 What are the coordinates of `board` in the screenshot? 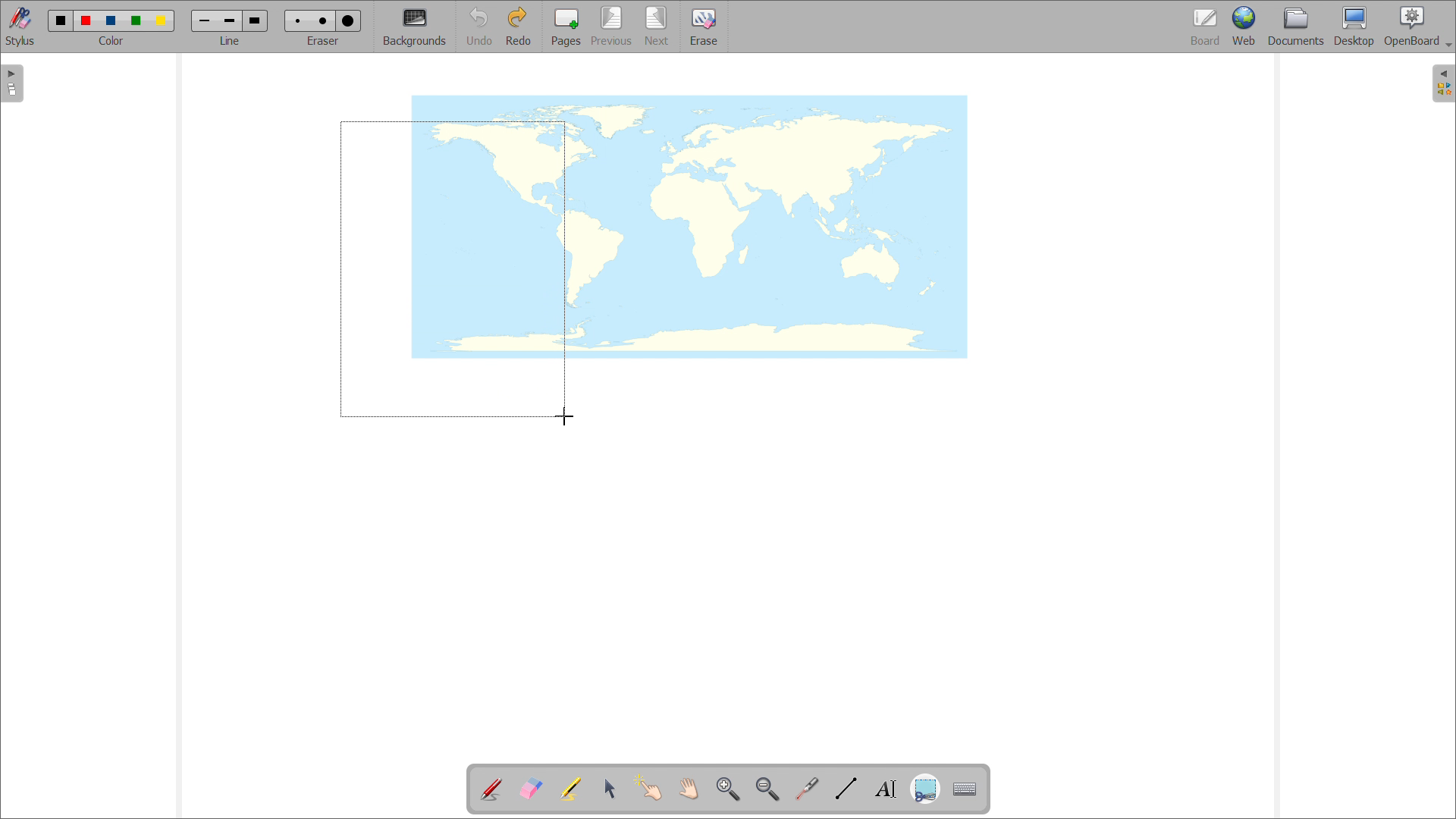 It's located at (1207, 27).